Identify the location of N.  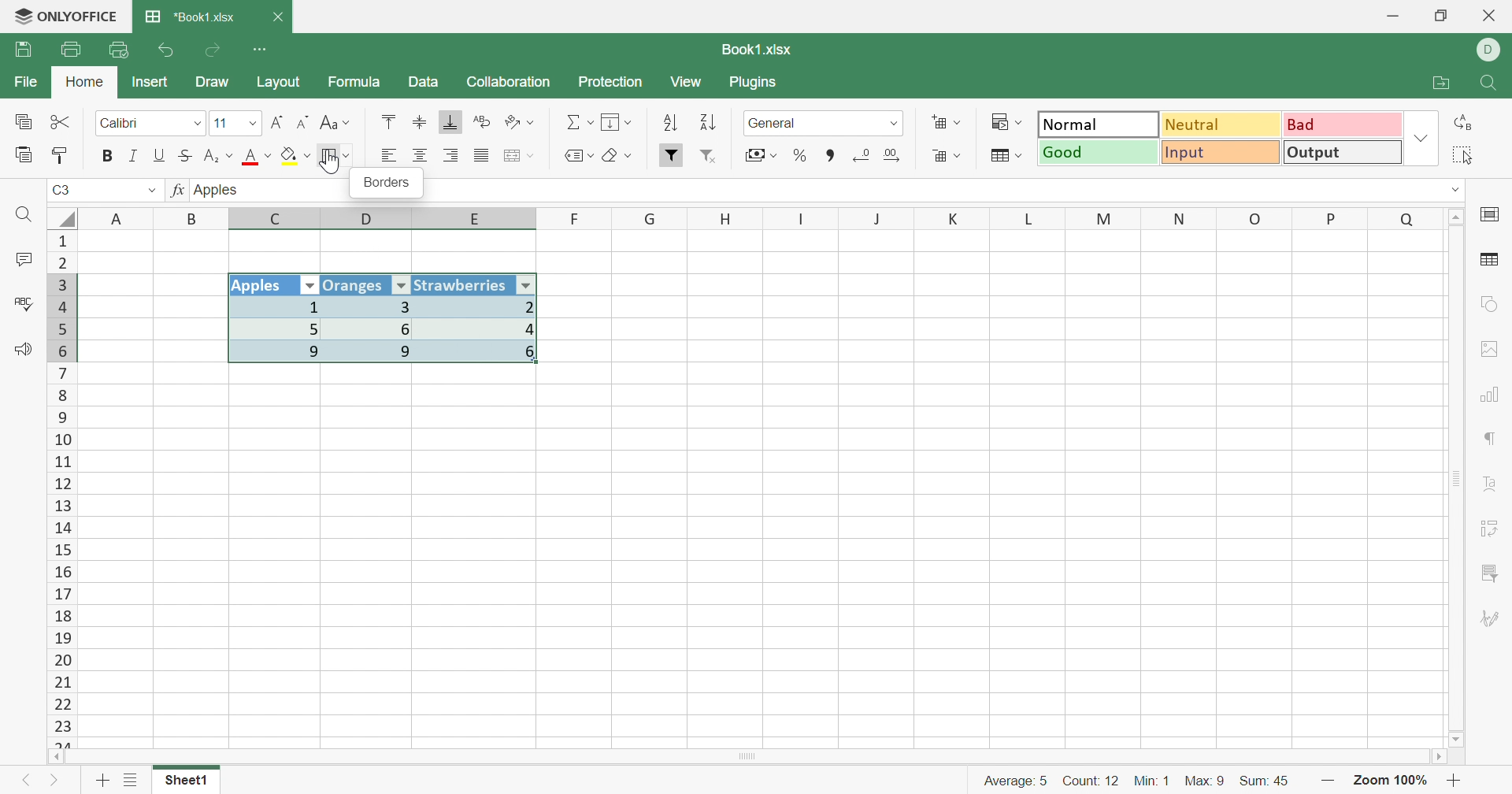
(1177, 218).